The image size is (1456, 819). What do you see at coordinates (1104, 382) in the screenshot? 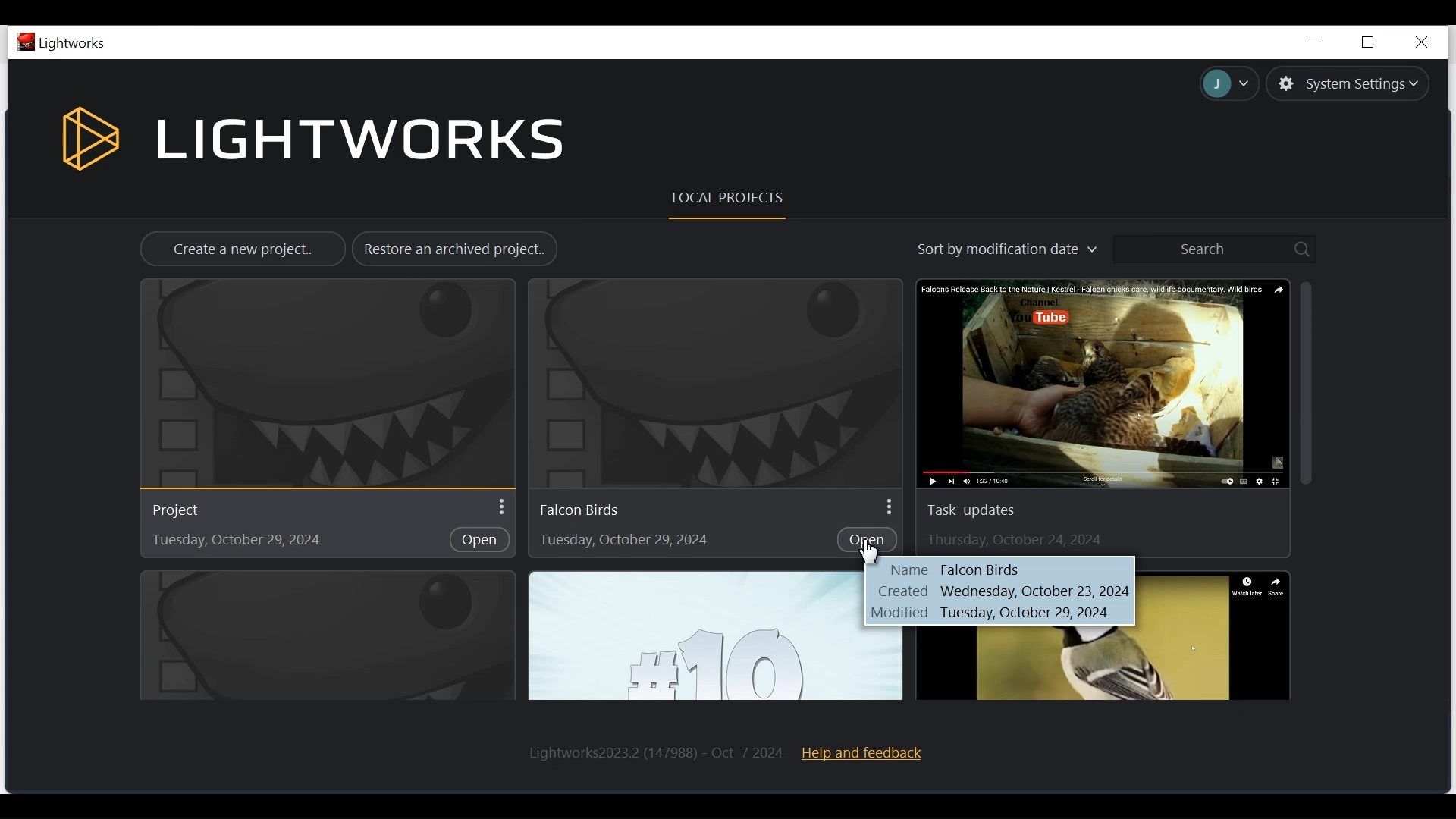
I see `Image` at bounding box center [1104, 382].